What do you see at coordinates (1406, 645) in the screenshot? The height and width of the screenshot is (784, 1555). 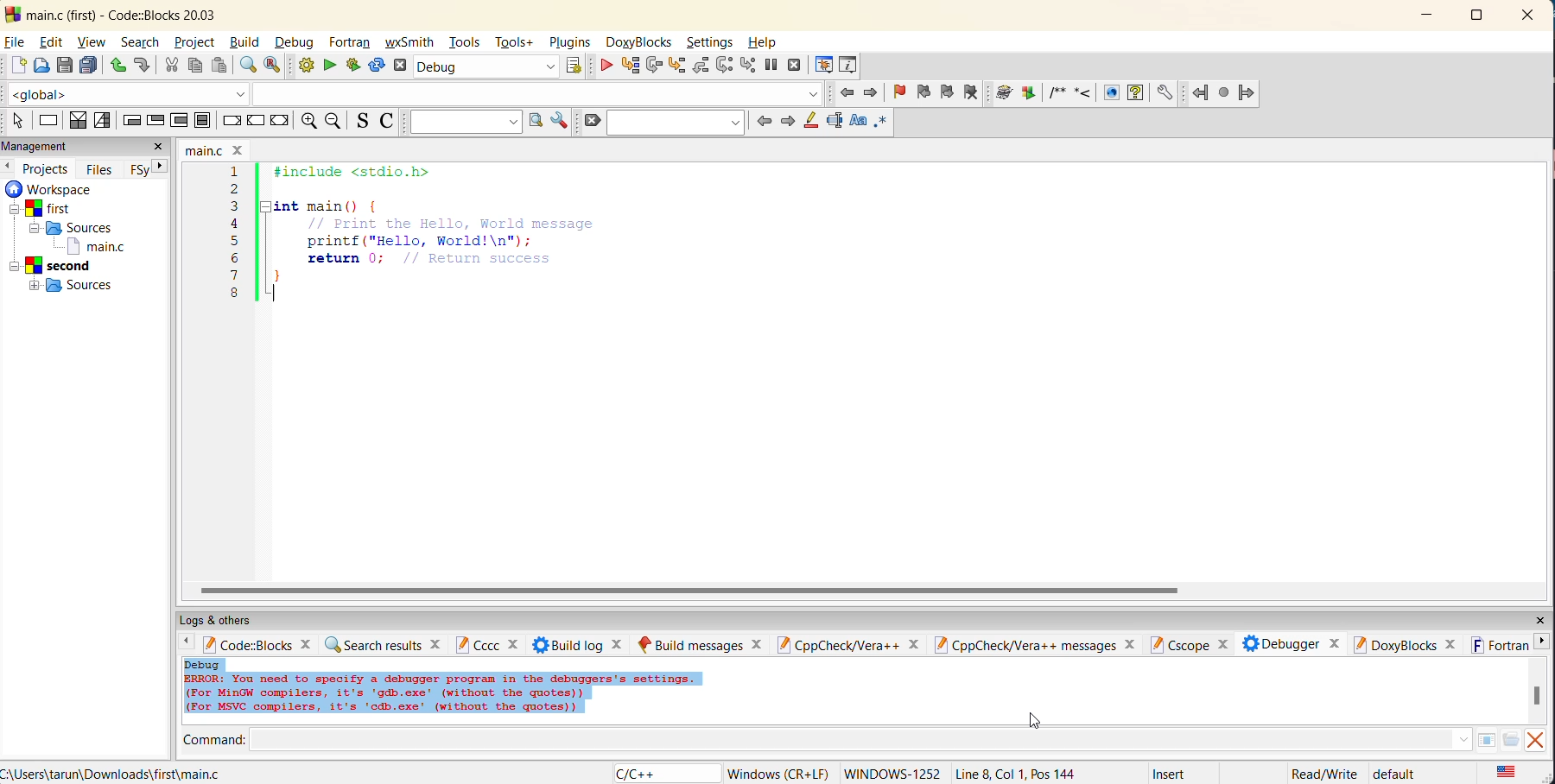 I see `doxyblocks` at bounding box center [1406, 645].